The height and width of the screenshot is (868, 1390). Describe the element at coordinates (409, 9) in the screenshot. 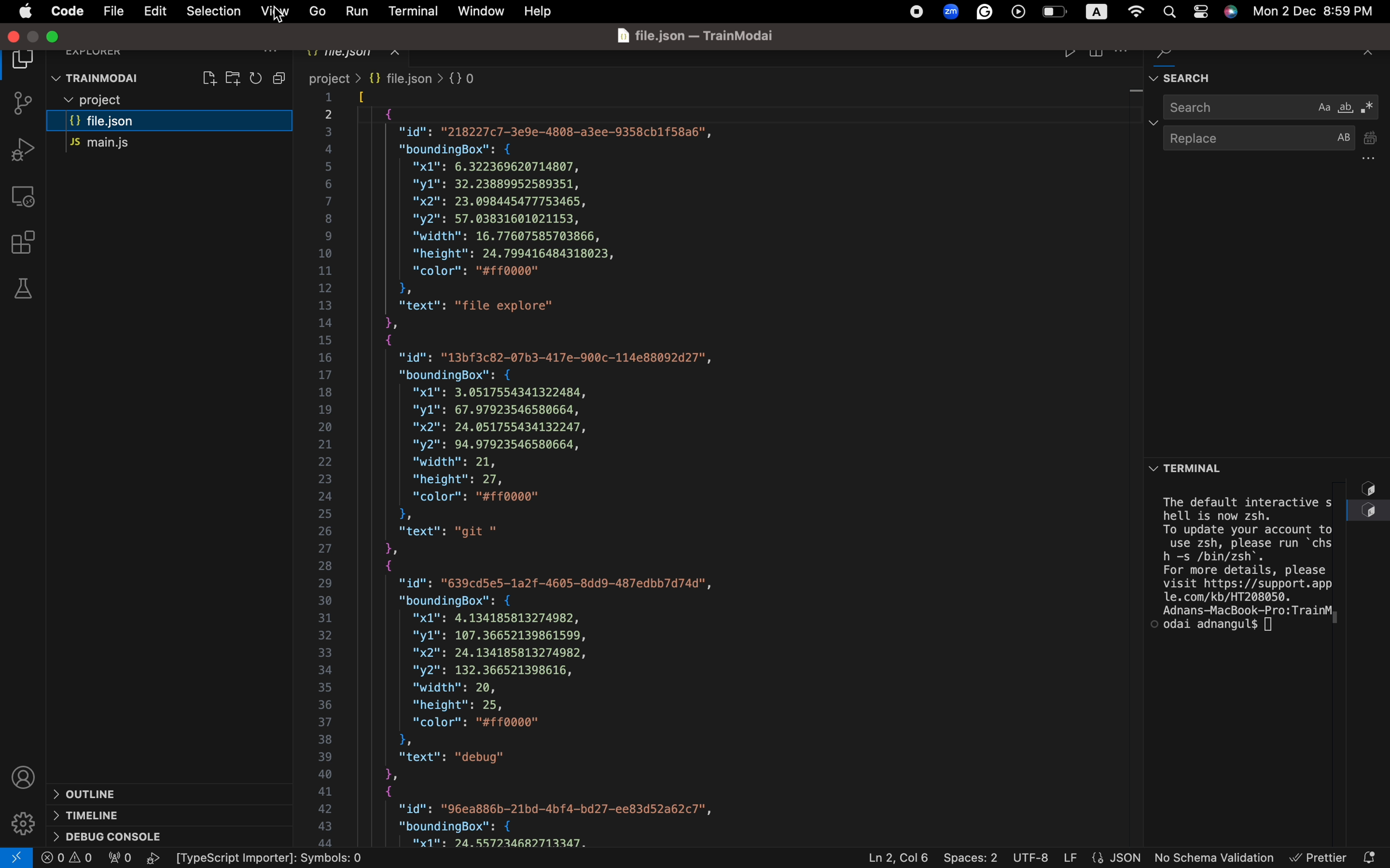

I see `terminal` at that location.